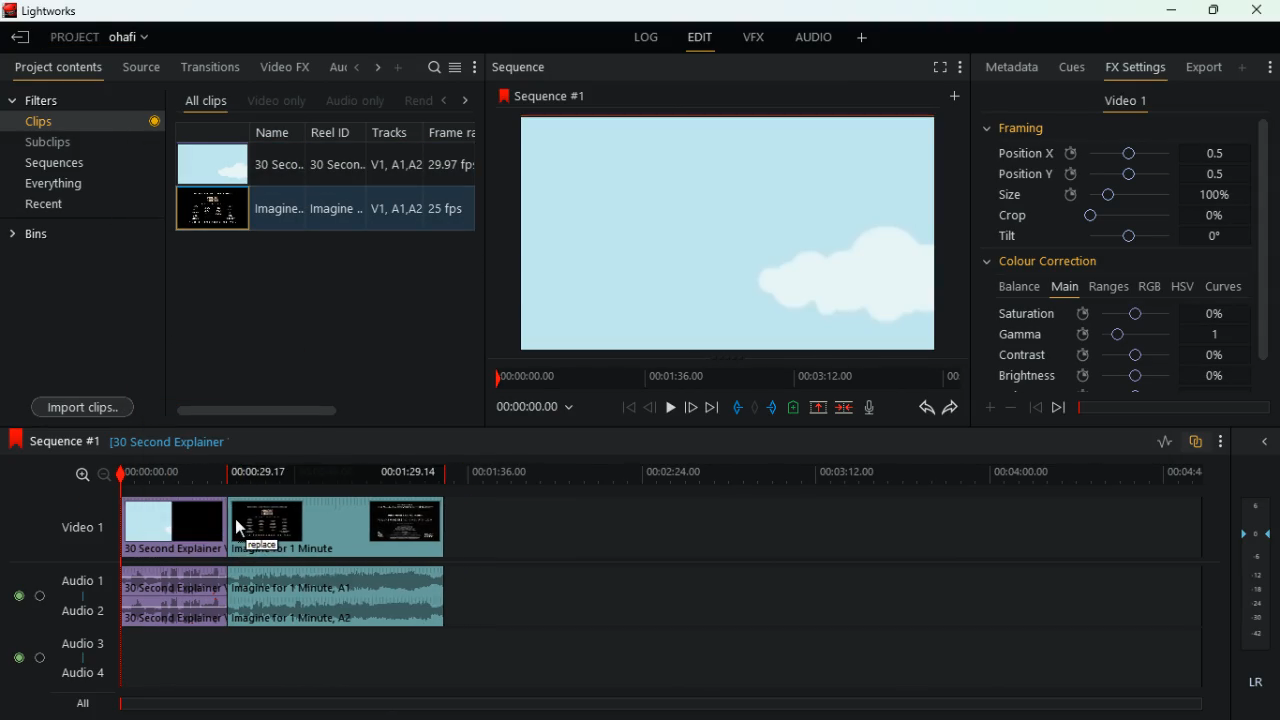  Describe the element at coordinates (732, 232) in the screenshot. I see `screen` at that location.